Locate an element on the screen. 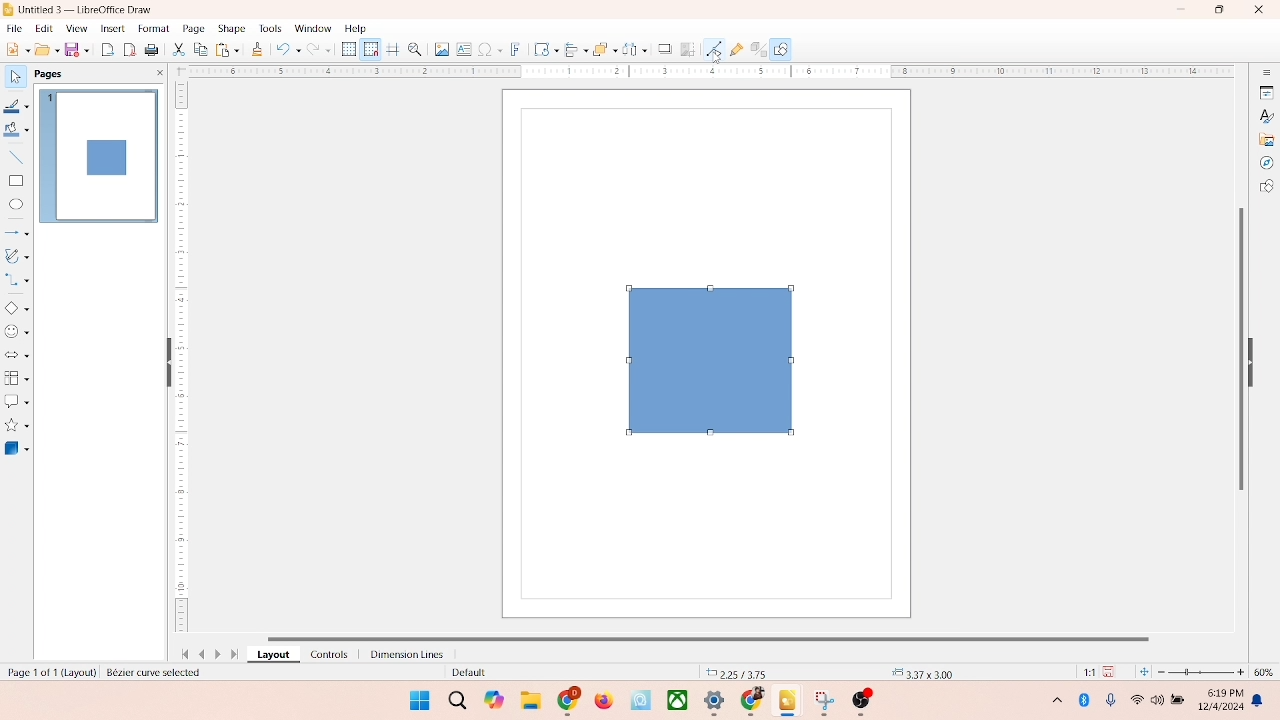  curves and polygons is located at coordinates (18, 254).